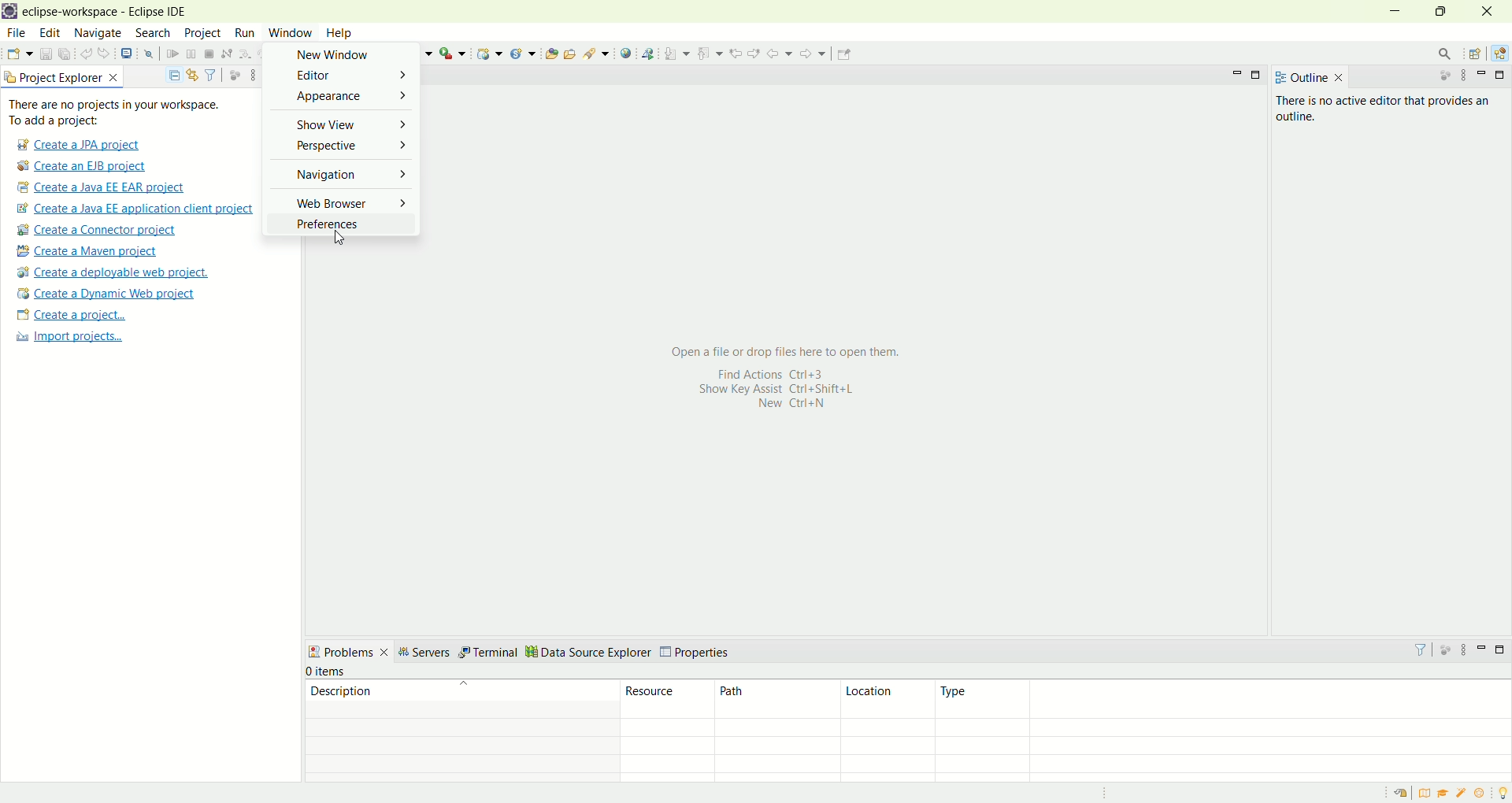 The image size is (1512, 803). I want to click on import projects, so click(67, 337).